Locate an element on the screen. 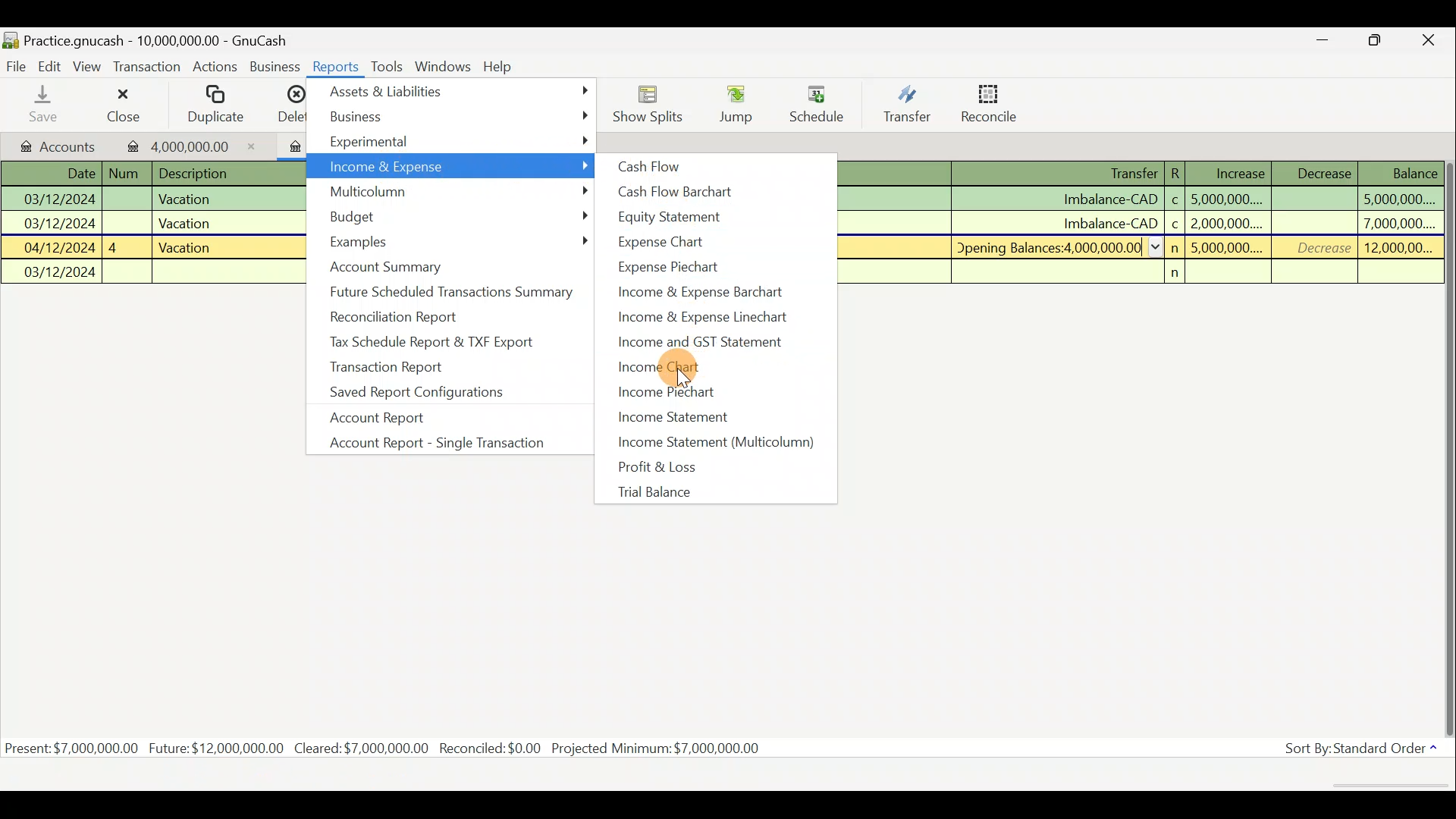 The width and height of the screenshot is (1456, 819). Transaction report is located at coordinates (384, 366).